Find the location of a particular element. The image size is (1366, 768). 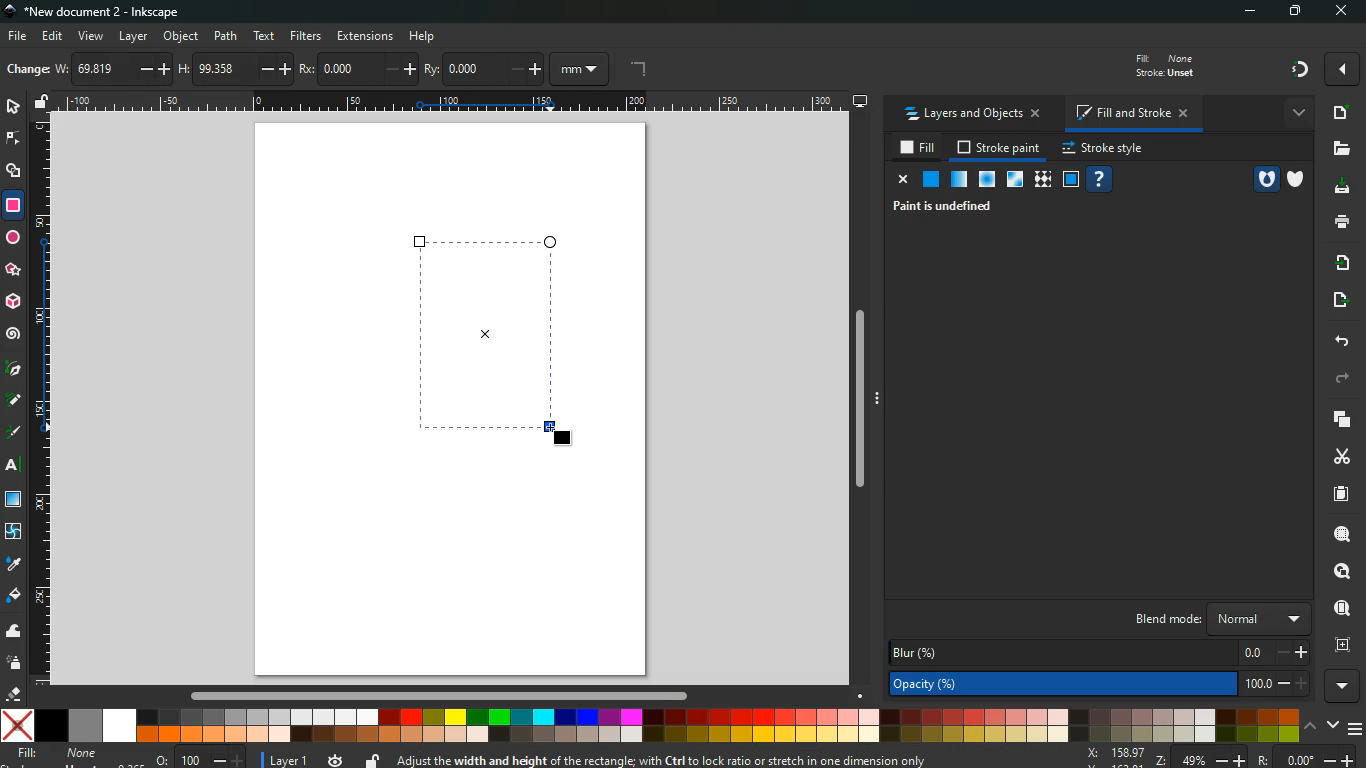

zoom is located at coordinates (1223, 757).